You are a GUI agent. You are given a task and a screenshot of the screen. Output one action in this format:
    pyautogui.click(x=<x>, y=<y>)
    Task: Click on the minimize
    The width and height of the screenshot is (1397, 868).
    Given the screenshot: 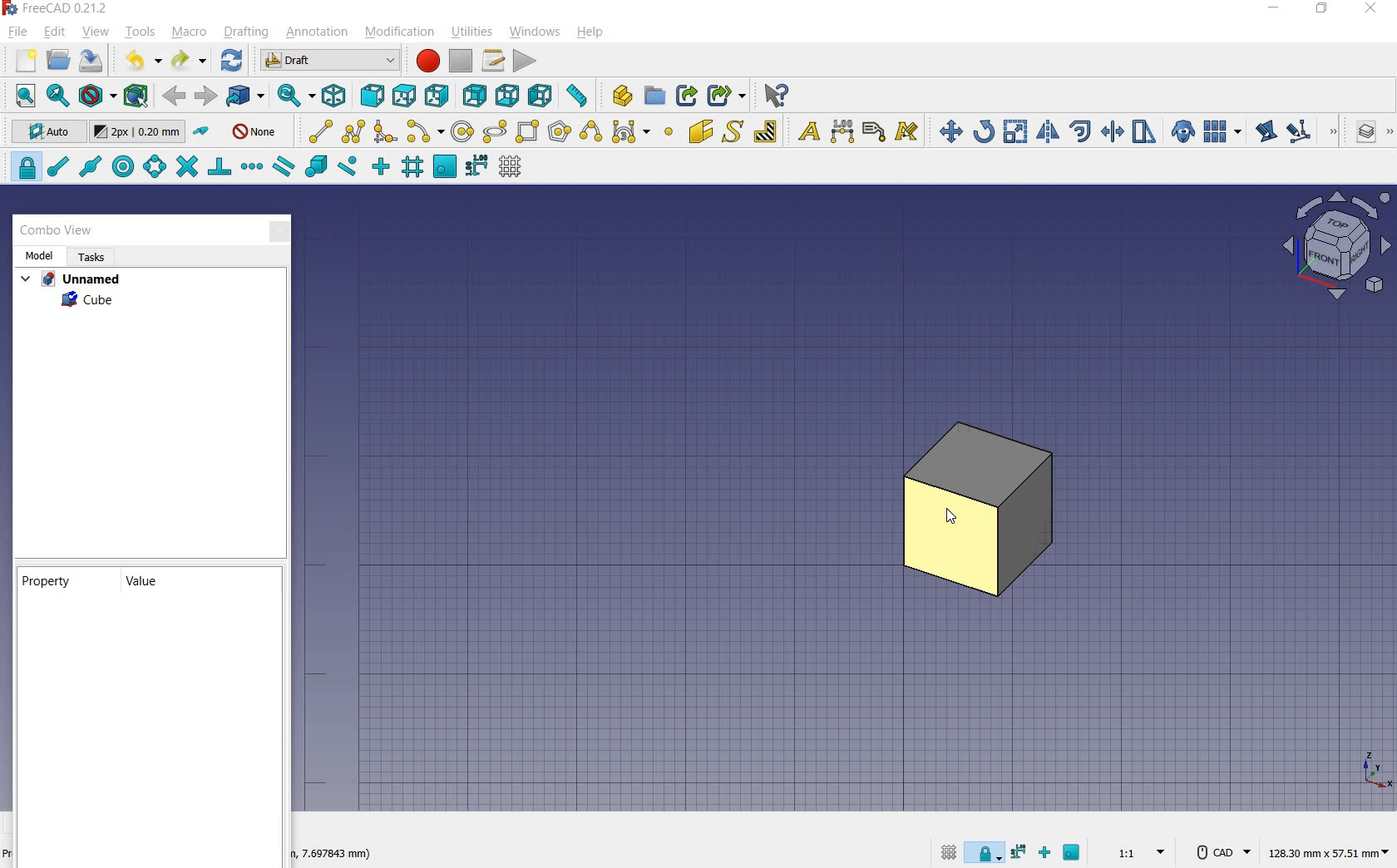 What is the action you would take?
    pyautogui.click(x=1275, y=10)
    